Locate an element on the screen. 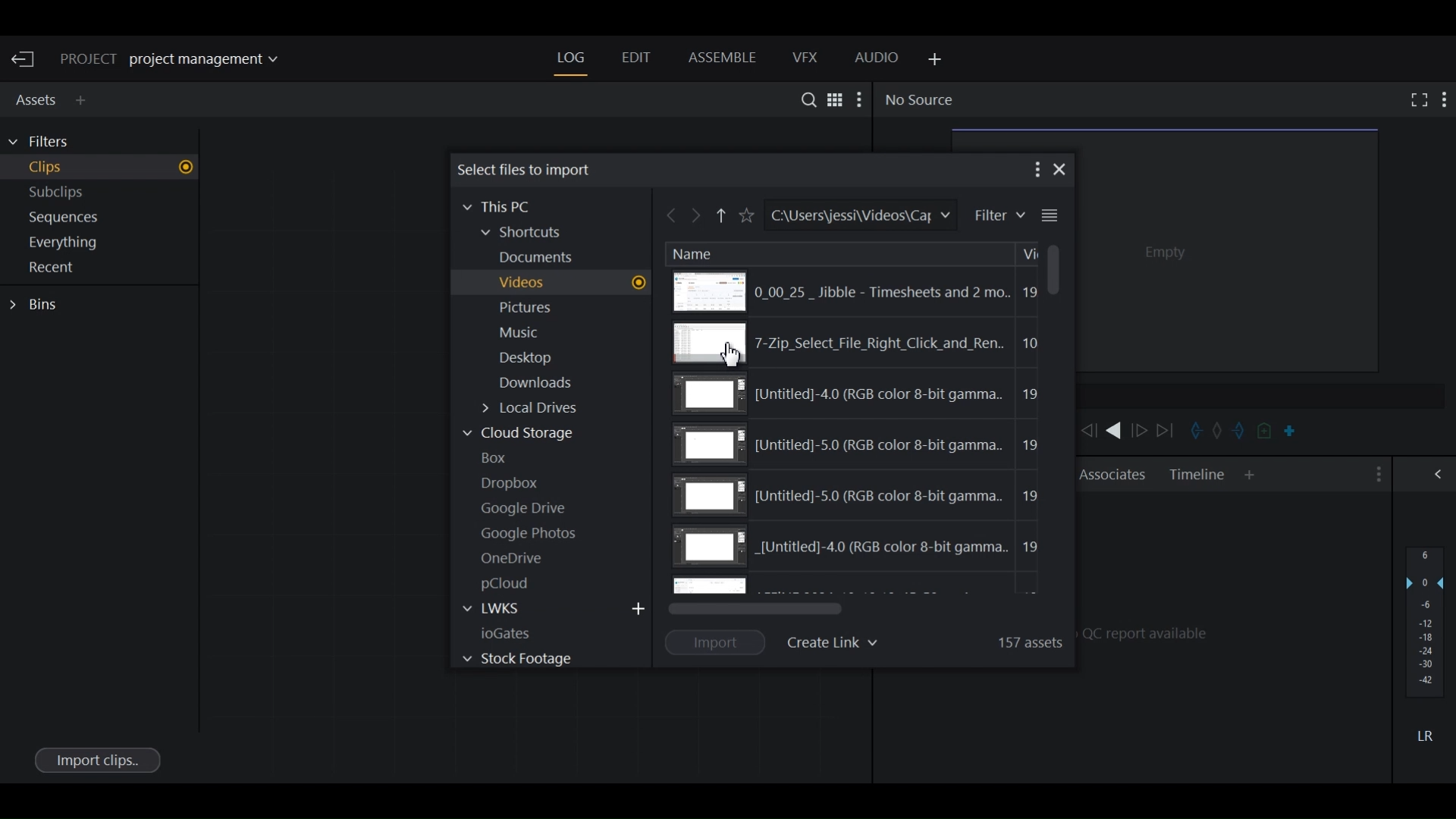 The image size is (1456, 819). Add is located at coordinates (639, 607).